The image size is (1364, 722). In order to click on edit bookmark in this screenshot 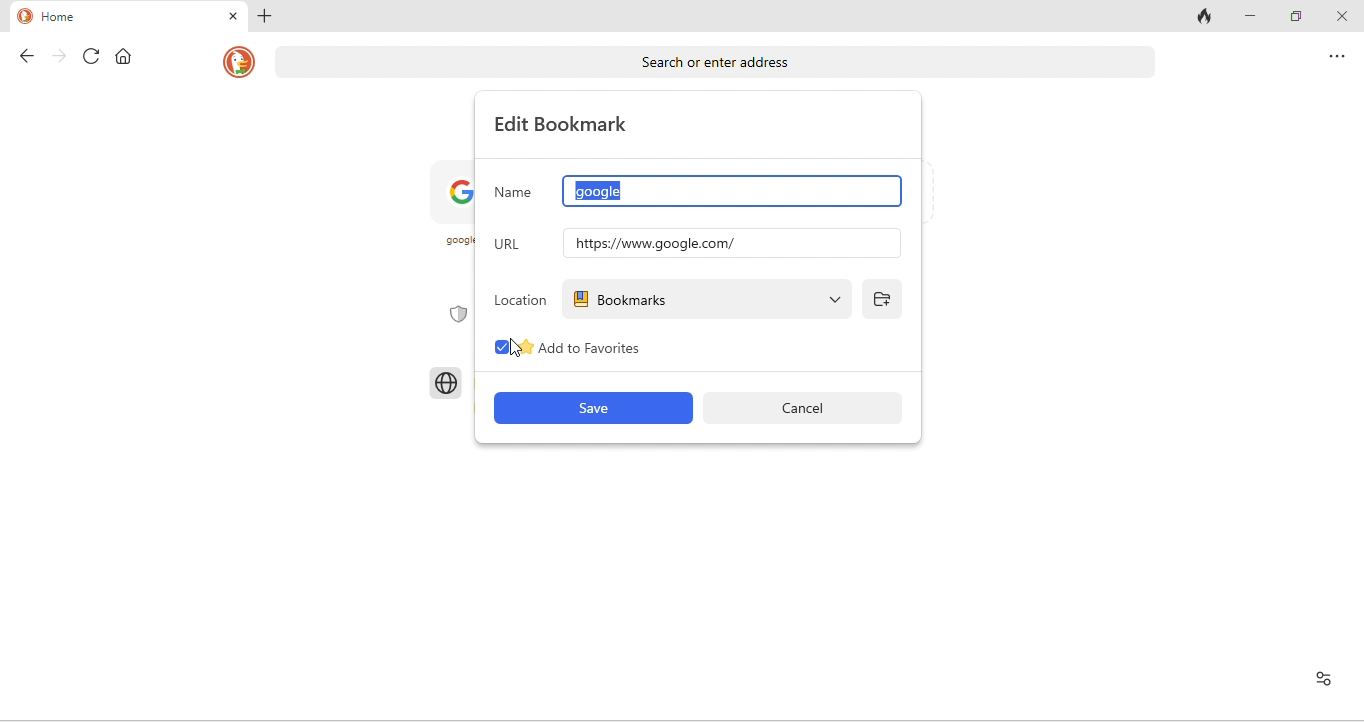, I will do `click(567, 124)`.